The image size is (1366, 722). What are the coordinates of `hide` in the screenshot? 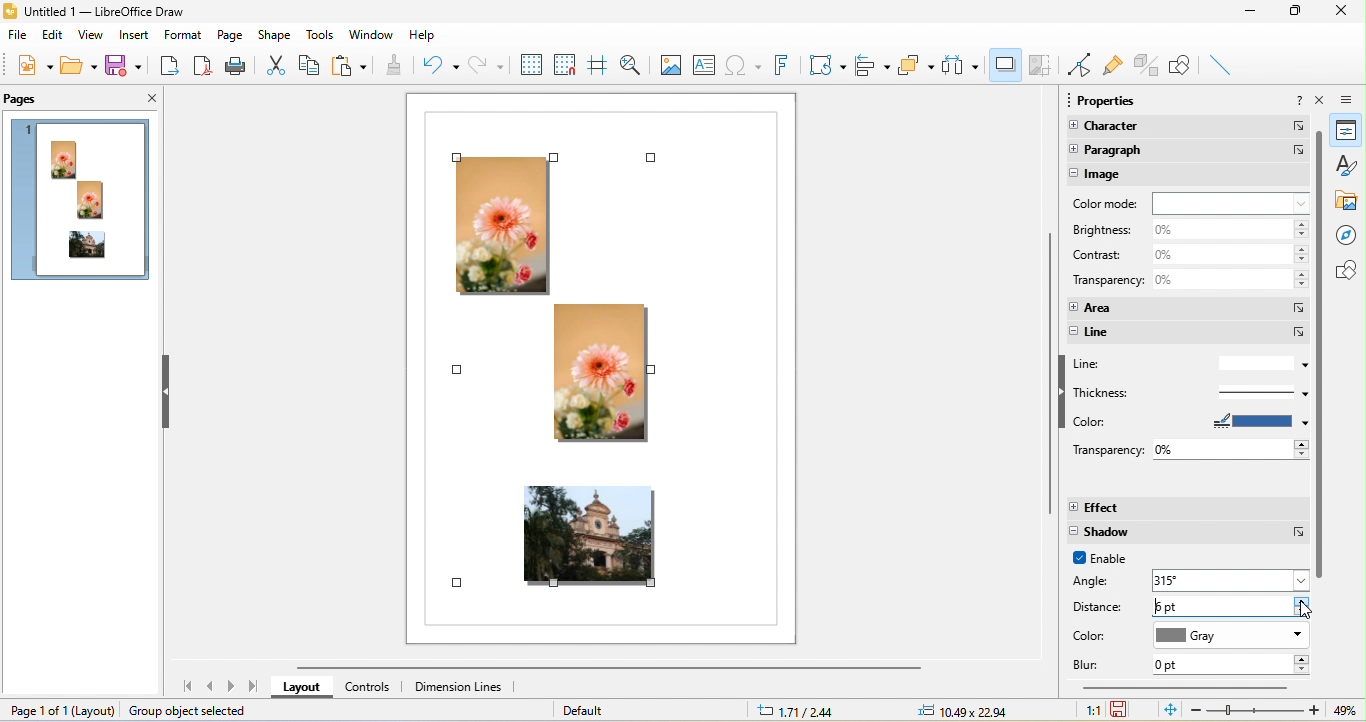 It's located at (169, 391).